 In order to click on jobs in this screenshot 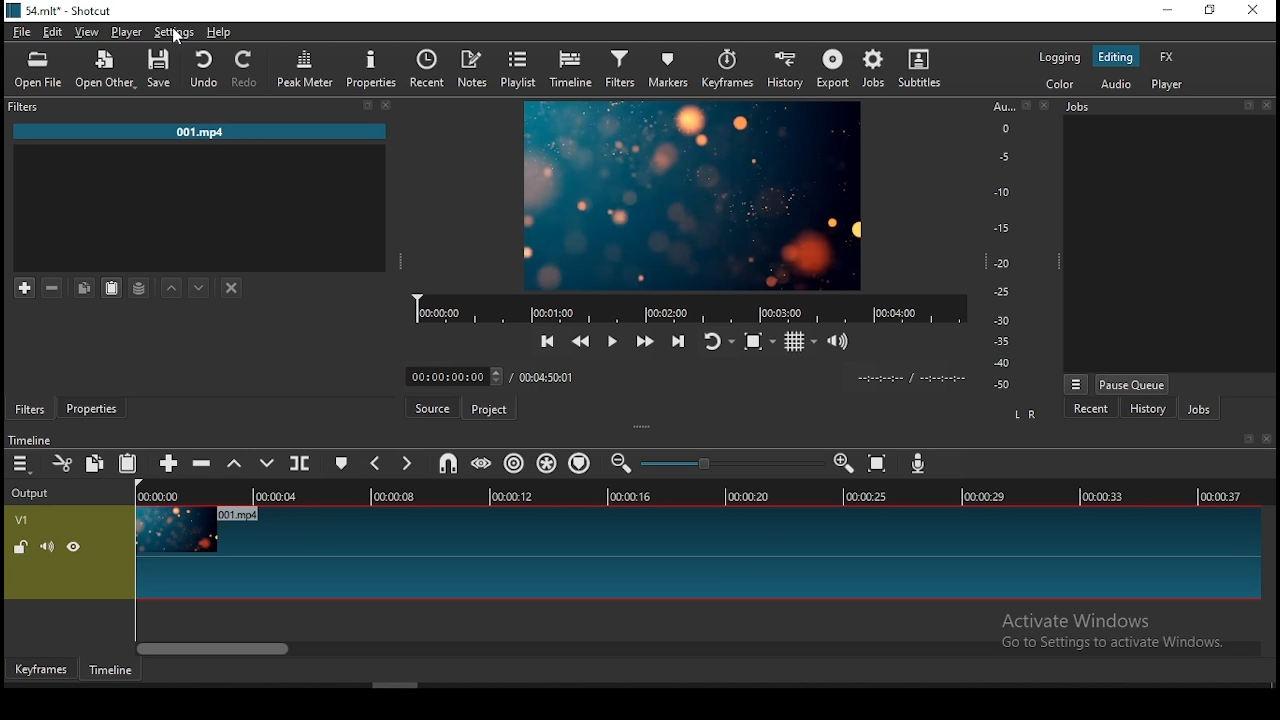, I will do `click(875, 68)`.